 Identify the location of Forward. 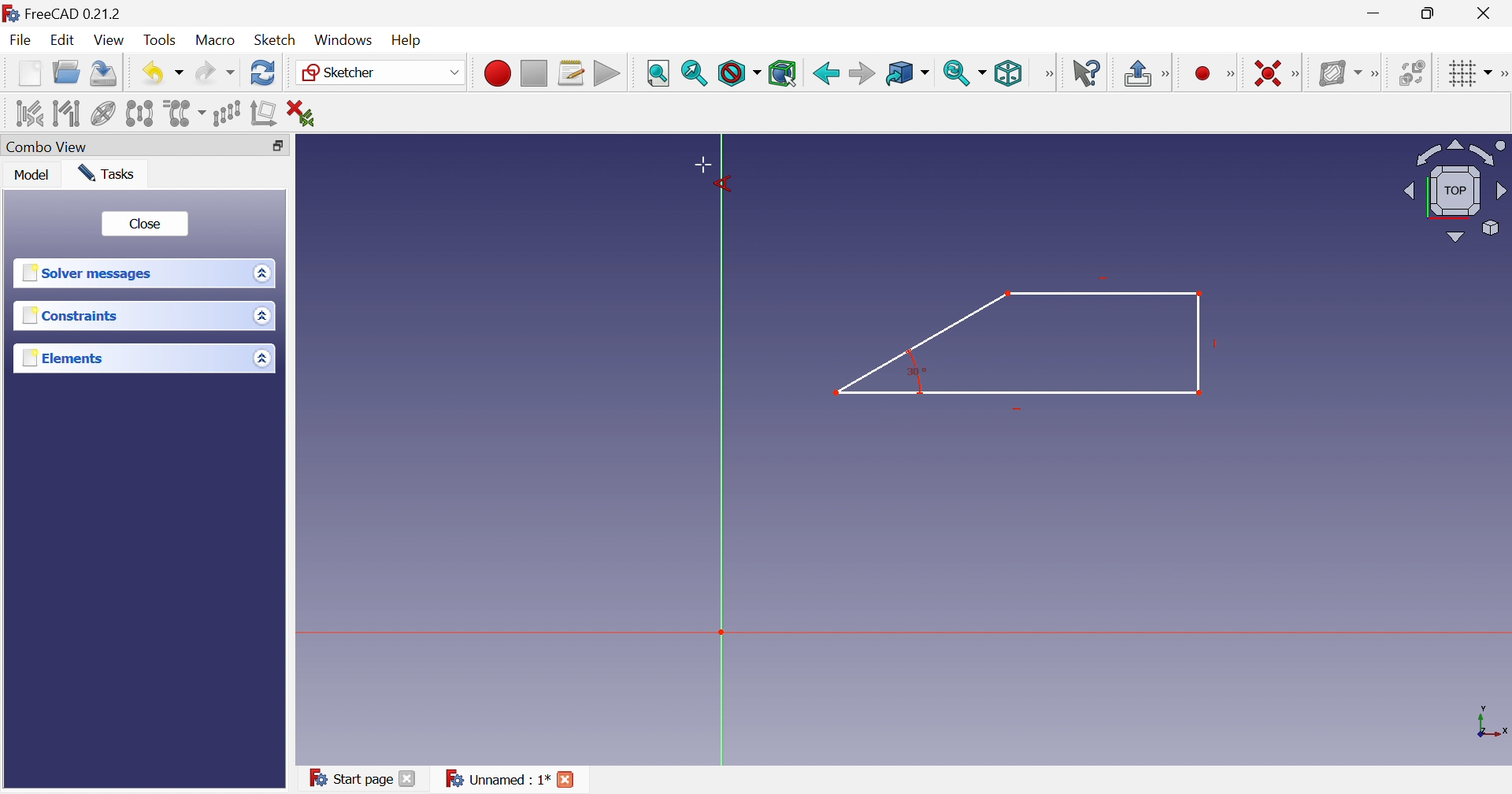
(862, 72).